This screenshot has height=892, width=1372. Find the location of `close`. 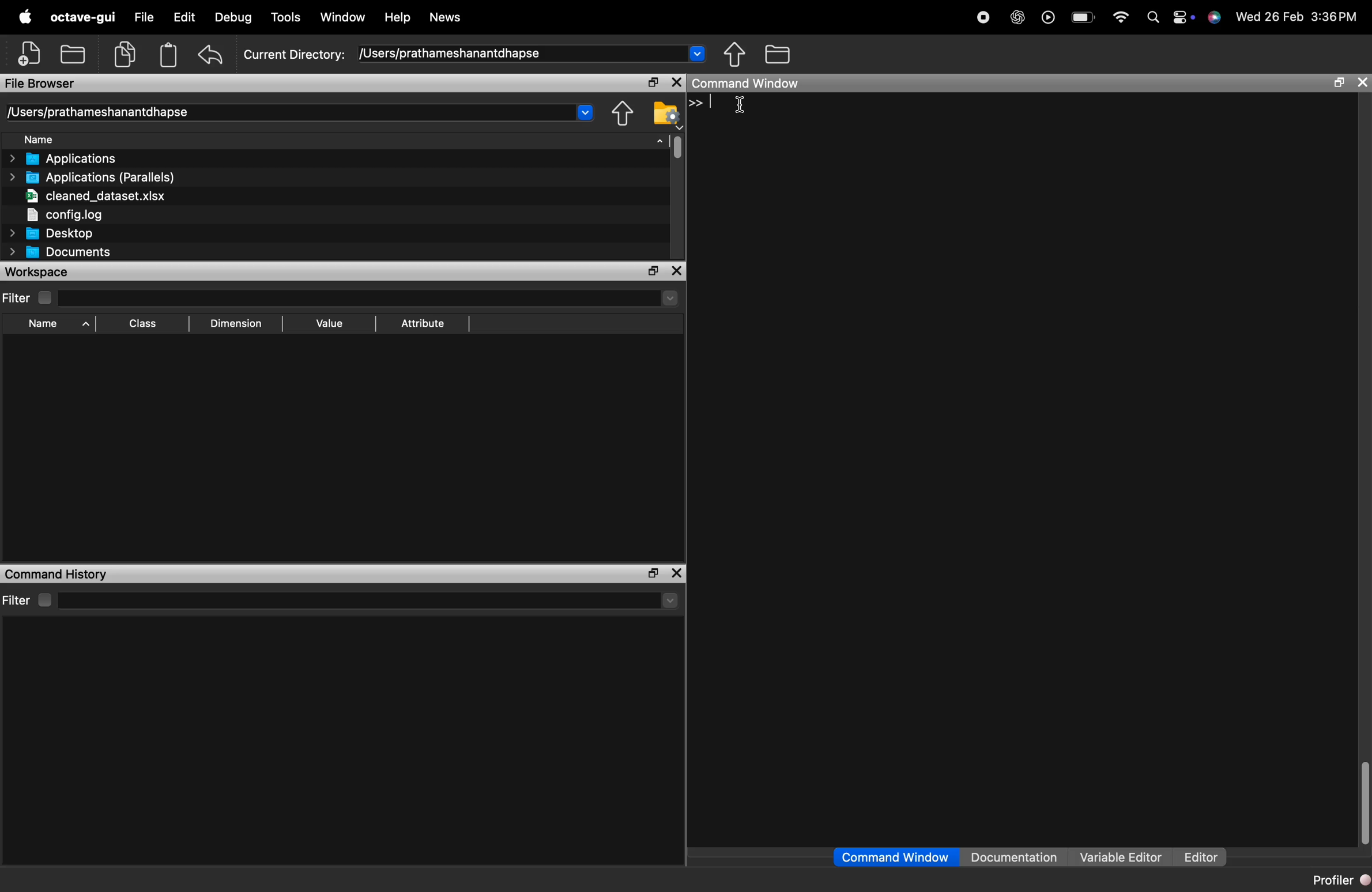

close is located at coordinates (675, 83).